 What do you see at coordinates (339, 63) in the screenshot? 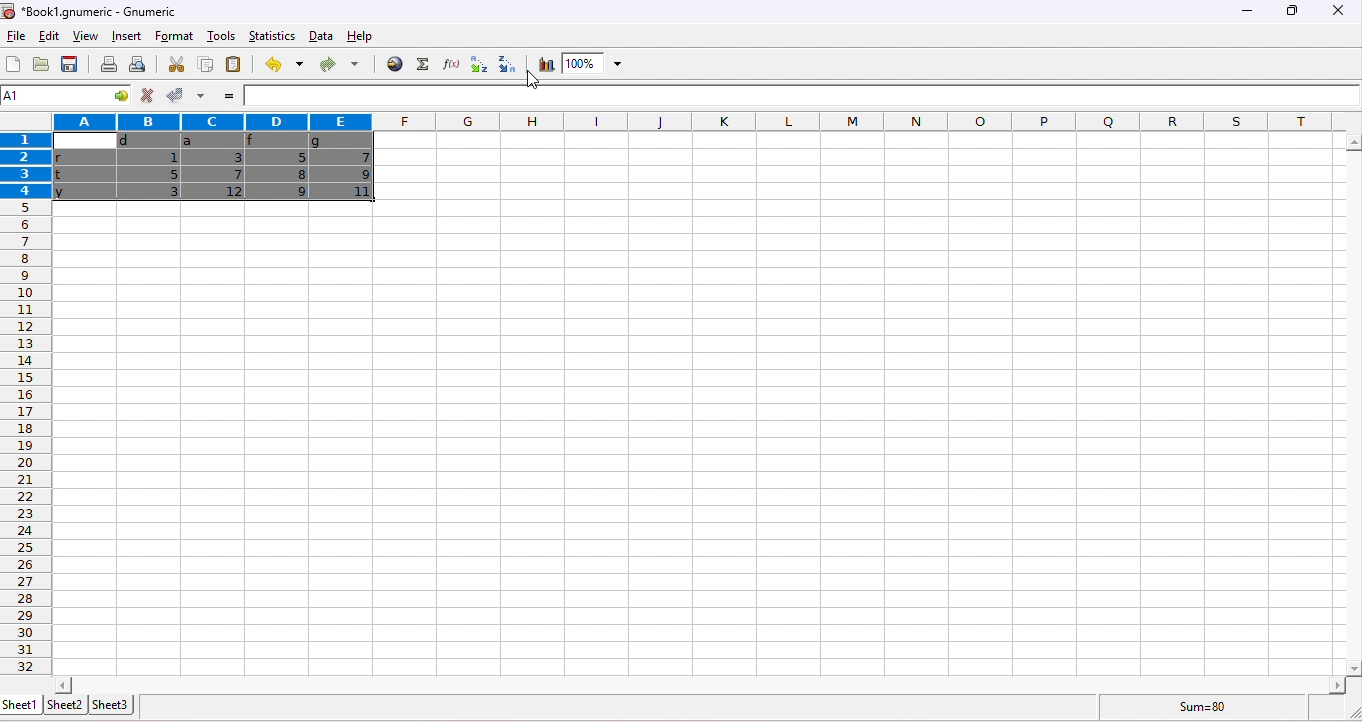
I see `redo` at bounding box center [339, 63].